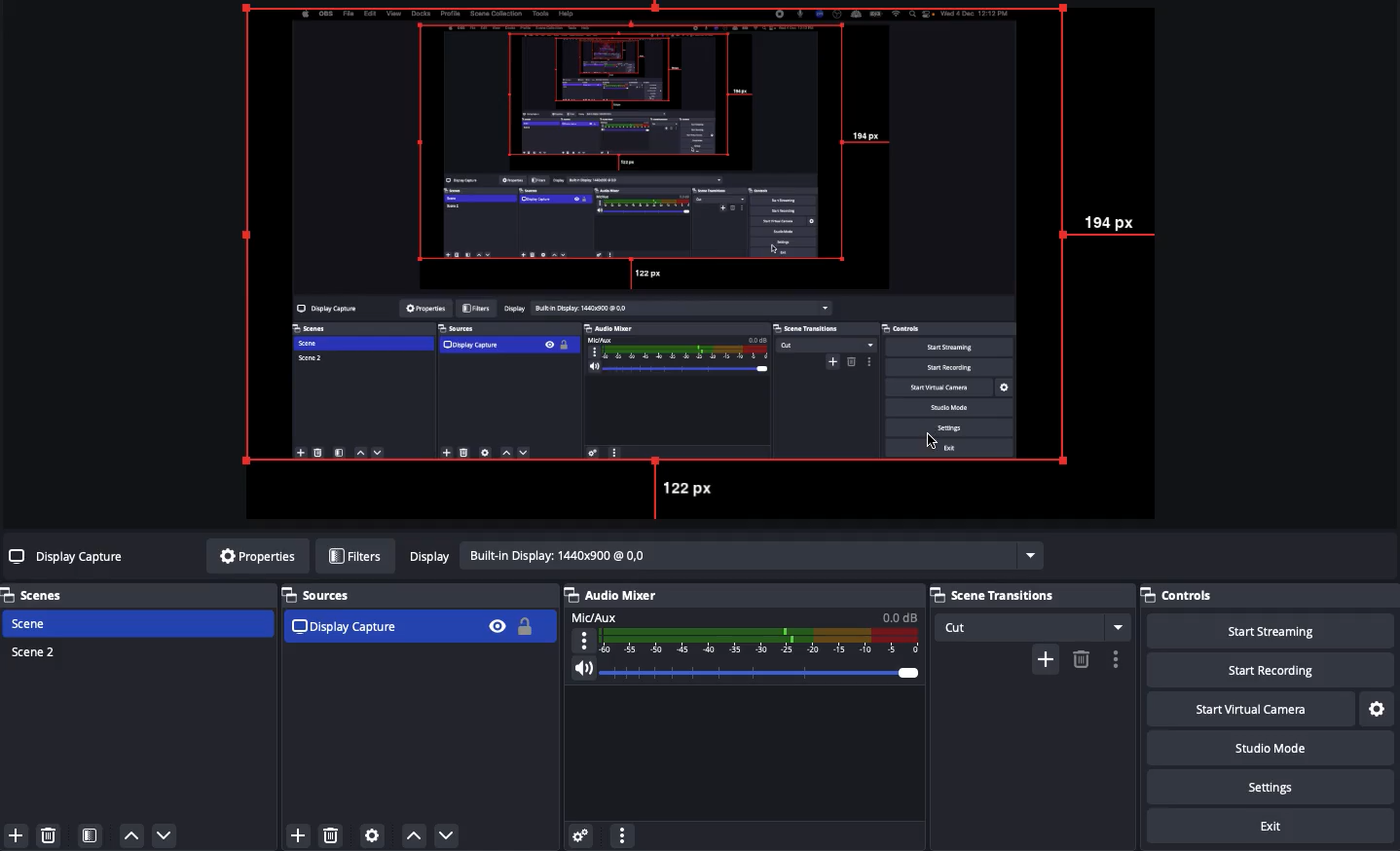  What do you see at coordinates (298, 833) in the screenshot?
I see `Add` at bounding box center [298, 833].